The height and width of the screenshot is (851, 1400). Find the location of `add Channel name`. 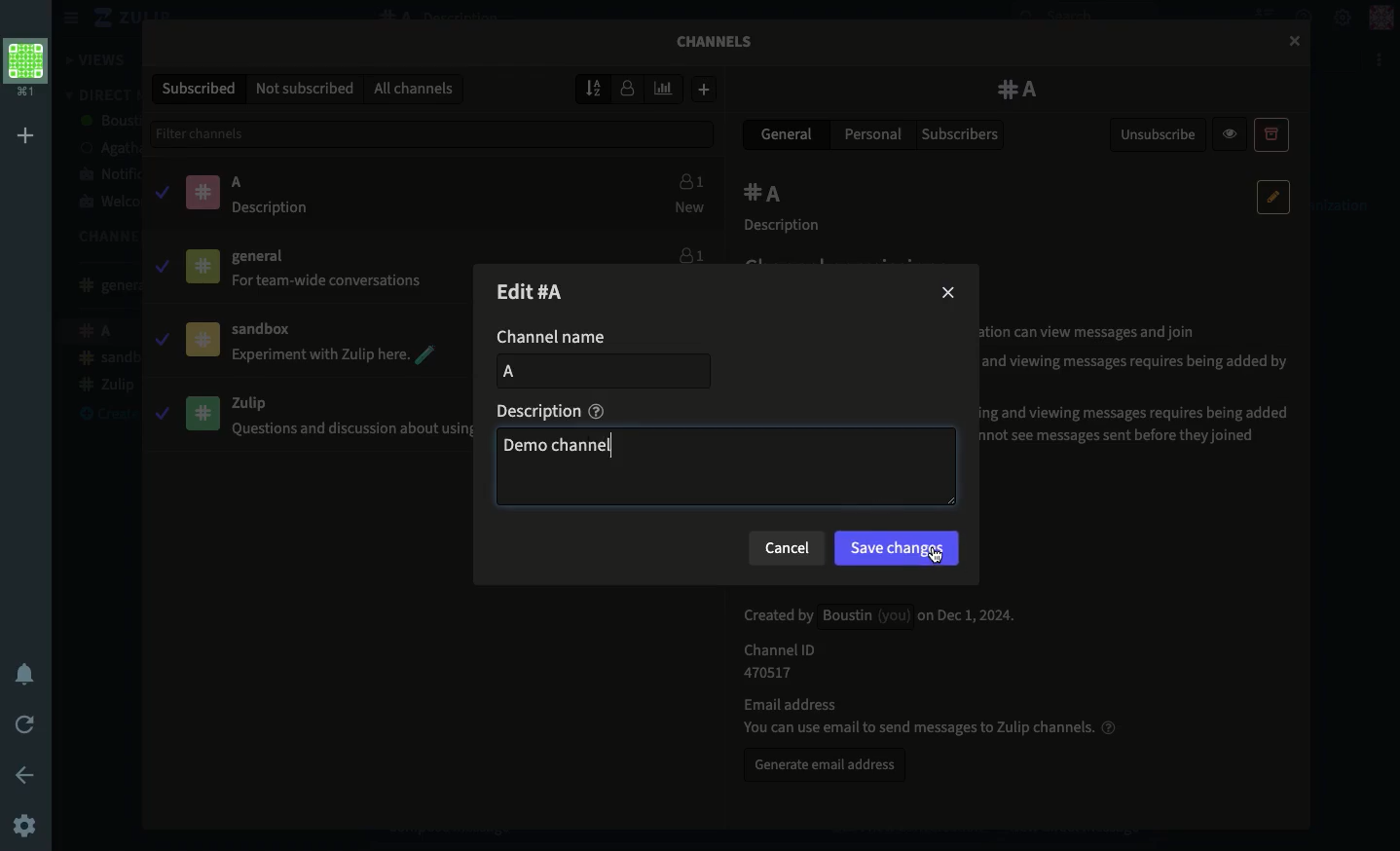

add Channel name is located at coordinates (599, 373).